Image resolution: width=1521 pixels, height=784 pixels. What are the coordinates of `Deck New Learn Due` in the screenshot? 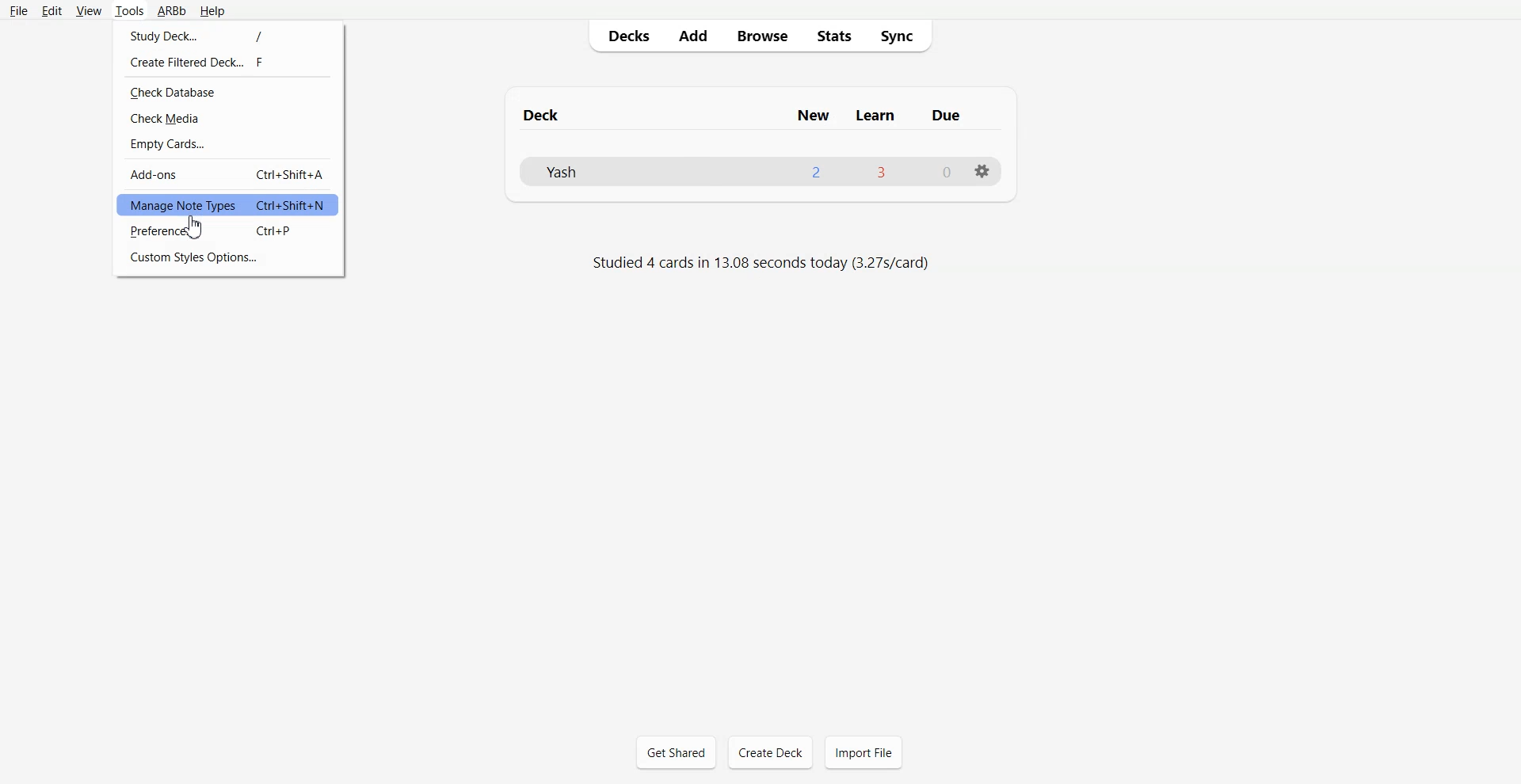 It's located at (750, 115).